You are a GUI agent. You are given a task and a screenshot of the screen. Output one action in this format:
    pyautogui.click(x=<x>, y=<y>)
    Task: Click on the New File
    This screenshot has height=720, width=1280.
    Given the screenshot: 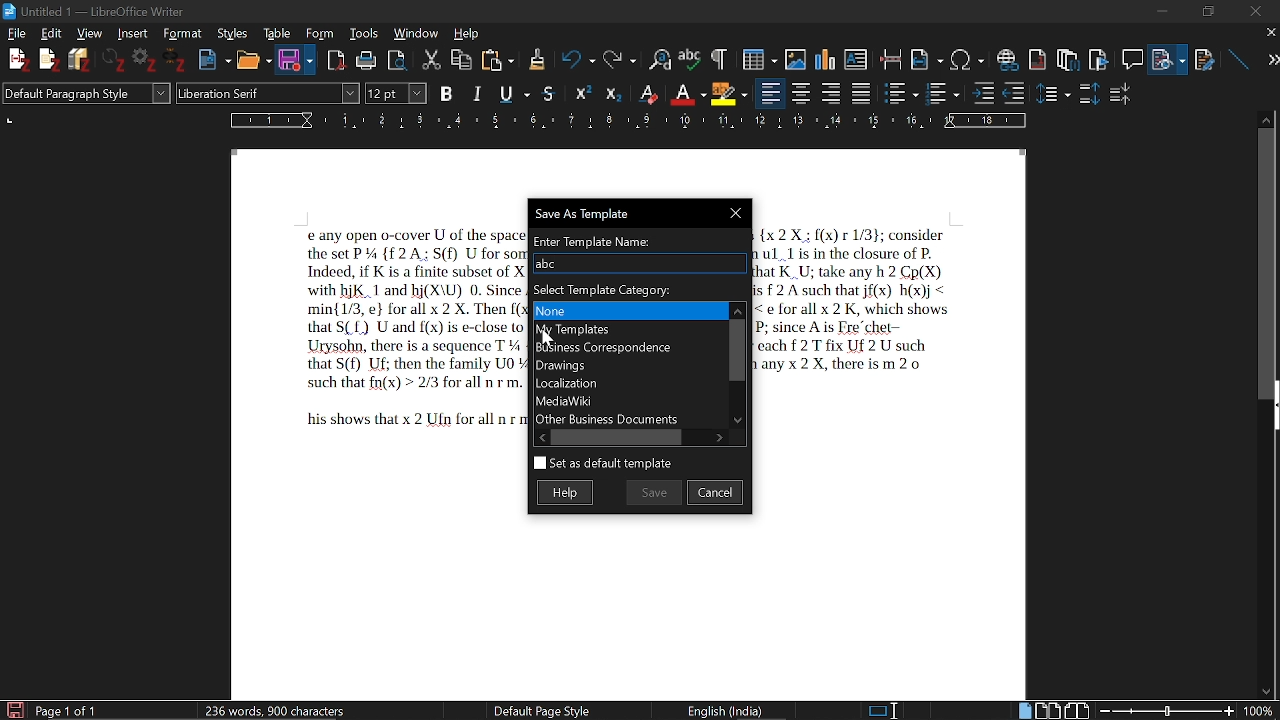 What is the action you would take?
    pyautogui.click(x=17, y=60)
    